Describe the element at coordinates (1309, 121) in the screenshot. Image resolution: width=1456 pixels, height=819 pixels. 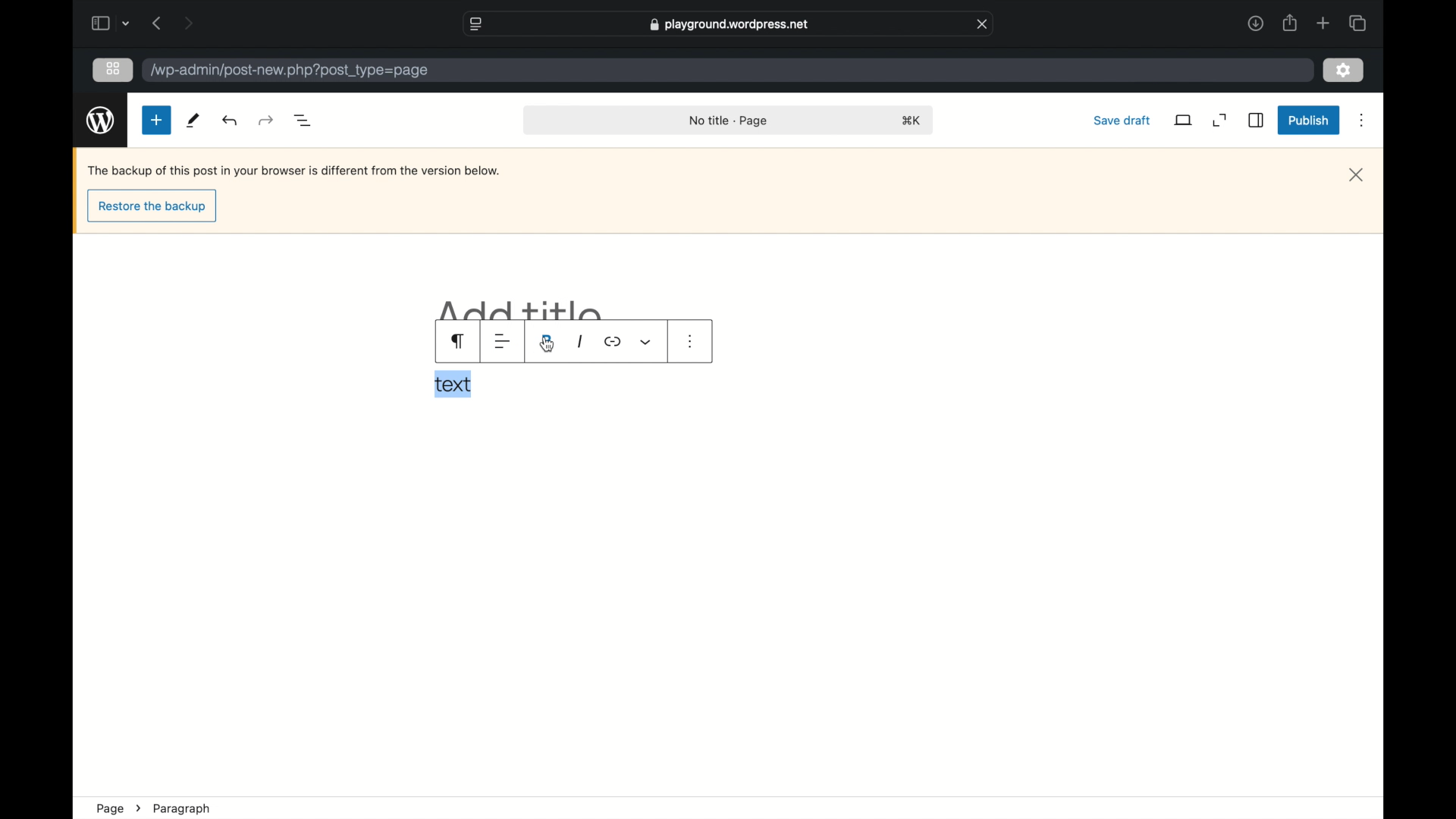
I see `publish` at that location.